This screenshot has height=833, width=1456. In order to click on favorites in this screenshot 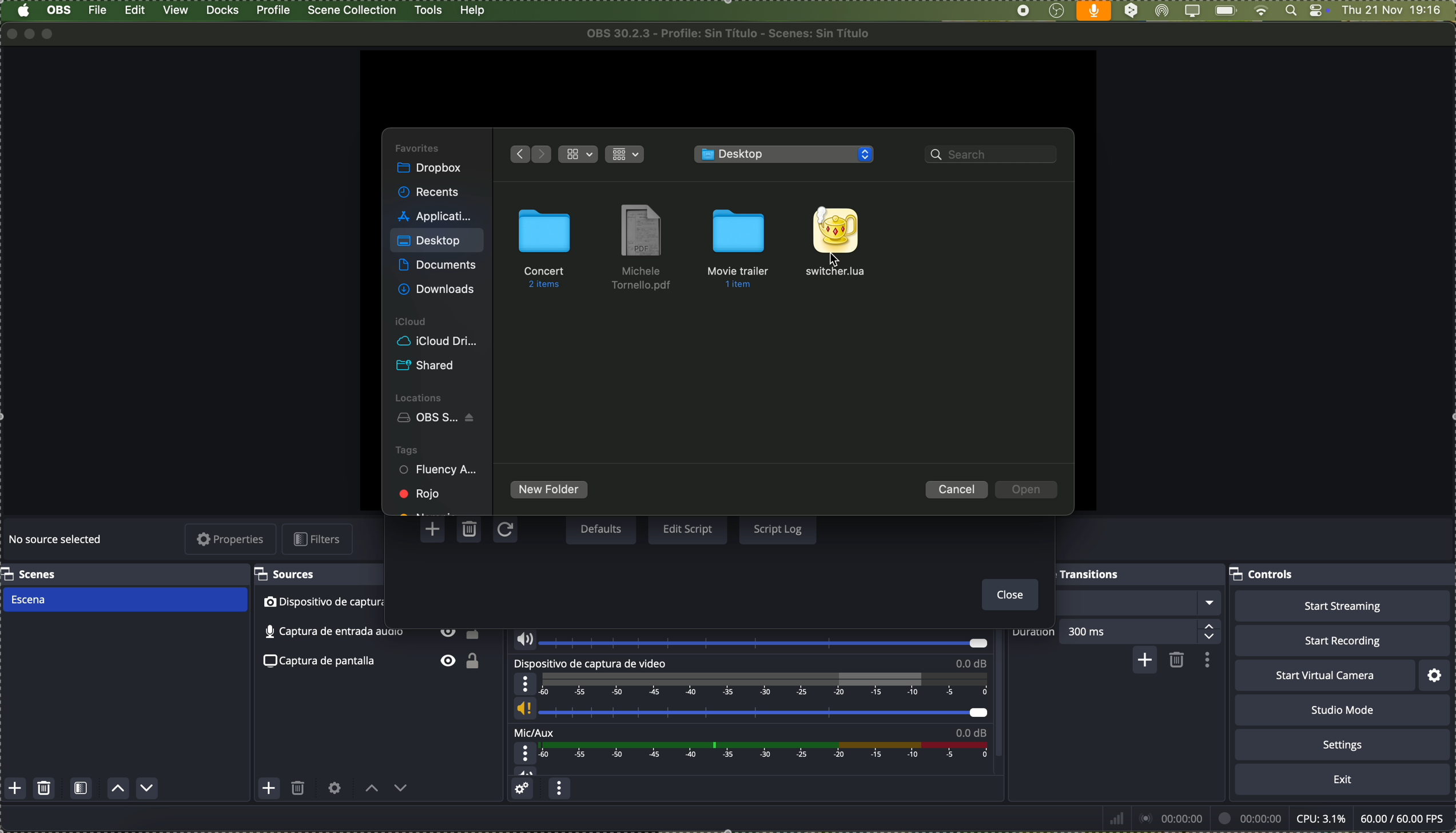, I will do `click(419, 147)`.